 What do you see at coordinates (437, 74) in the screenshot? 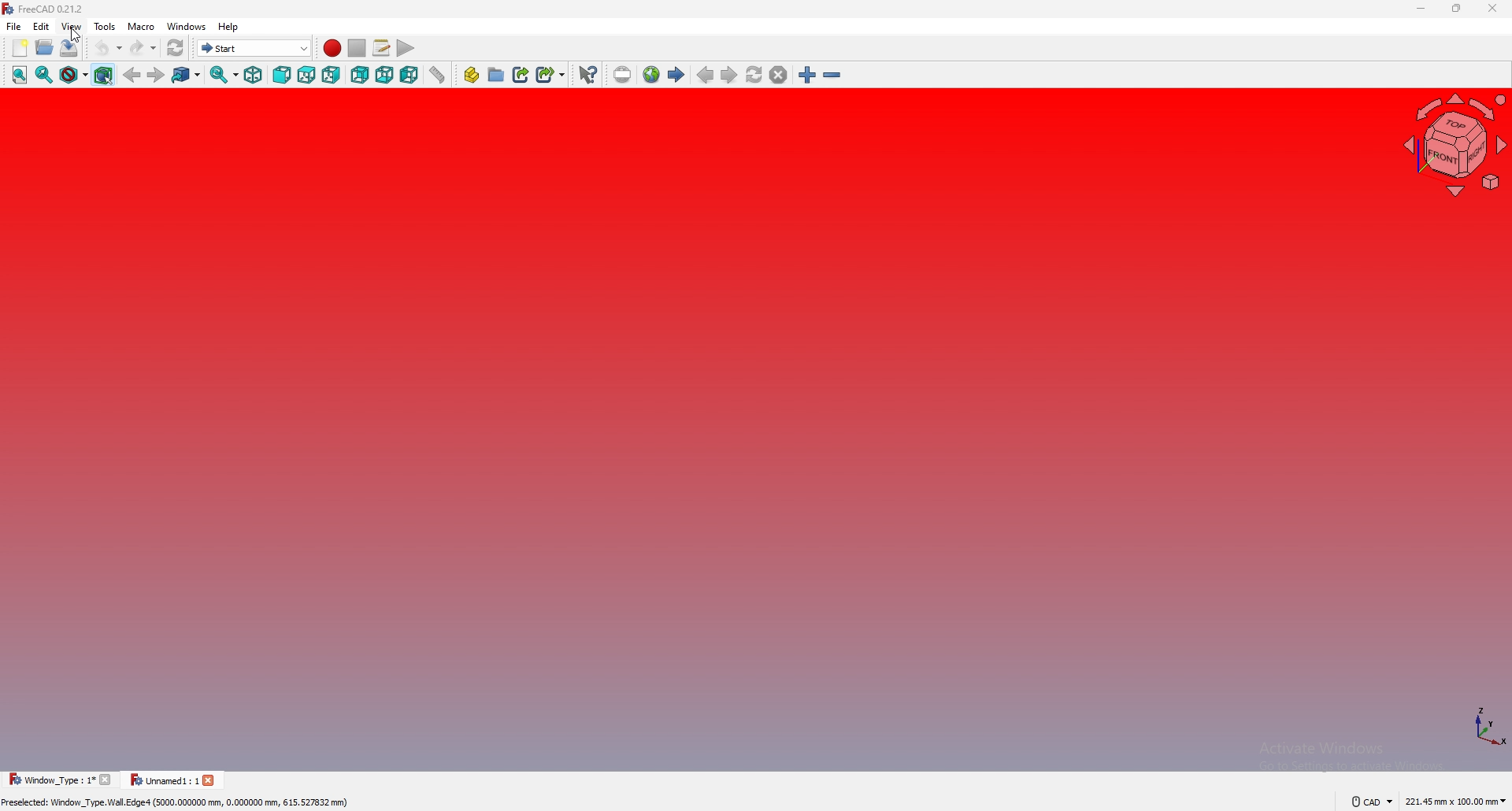
I see `measure distance` at bounding box center [437, 74].